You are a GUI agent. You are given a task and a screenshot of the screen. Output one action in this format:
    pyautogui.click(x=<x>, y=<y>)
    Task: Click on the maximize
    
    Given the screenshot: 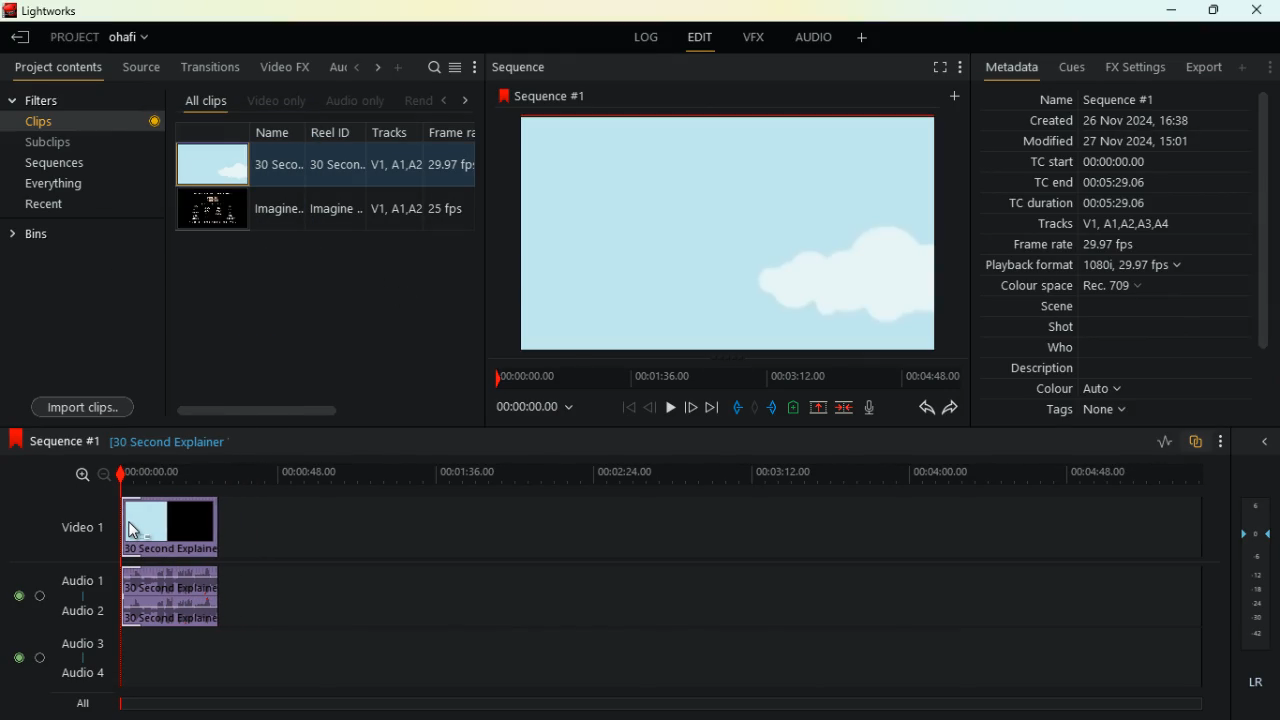 What is the action you would take?
    pyautogui.click(x=1211, y=11)
    